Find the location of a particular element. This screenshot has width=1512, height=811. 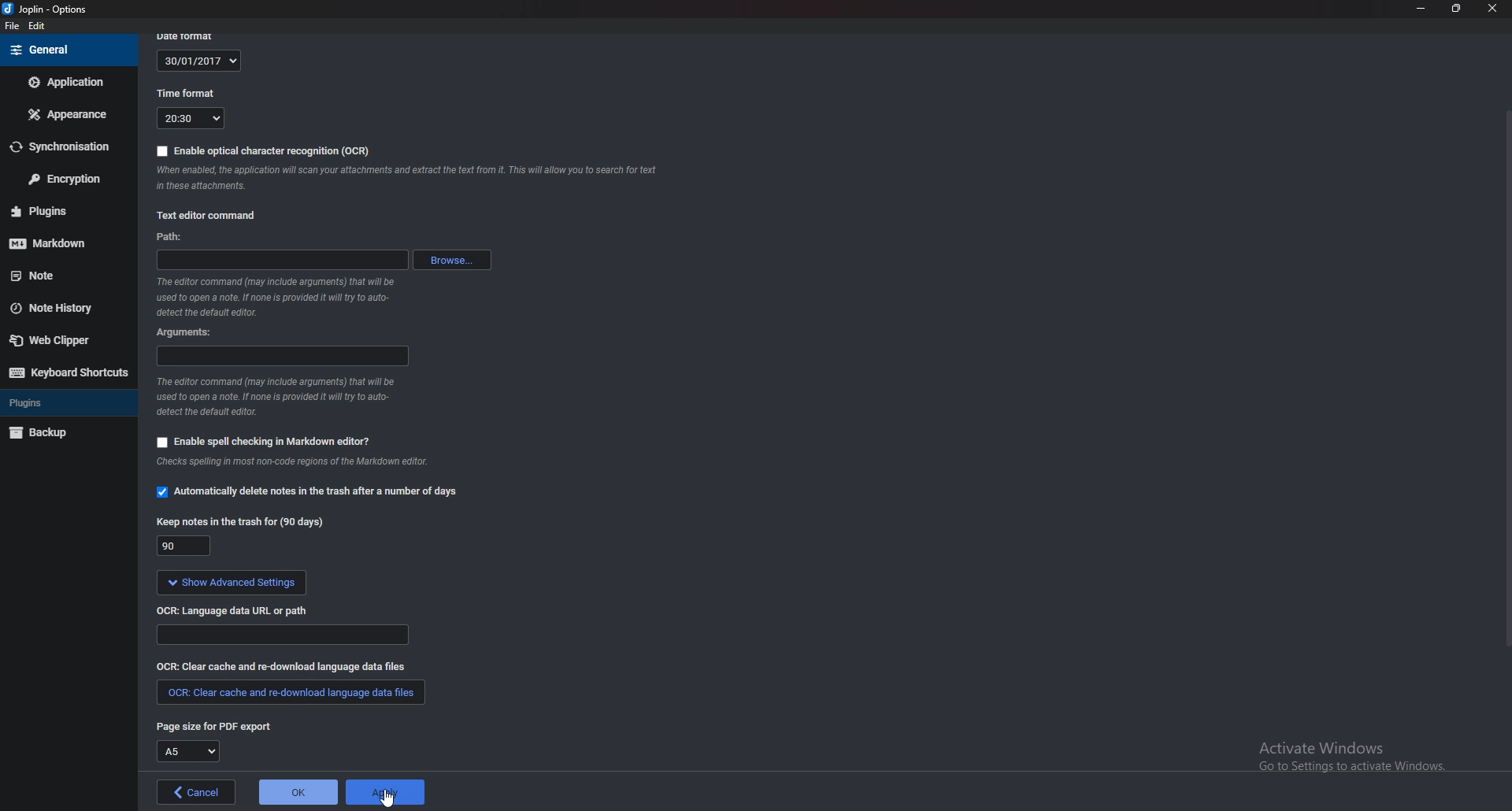

clear cache and redownload language data is located at coordinates (292, 691).